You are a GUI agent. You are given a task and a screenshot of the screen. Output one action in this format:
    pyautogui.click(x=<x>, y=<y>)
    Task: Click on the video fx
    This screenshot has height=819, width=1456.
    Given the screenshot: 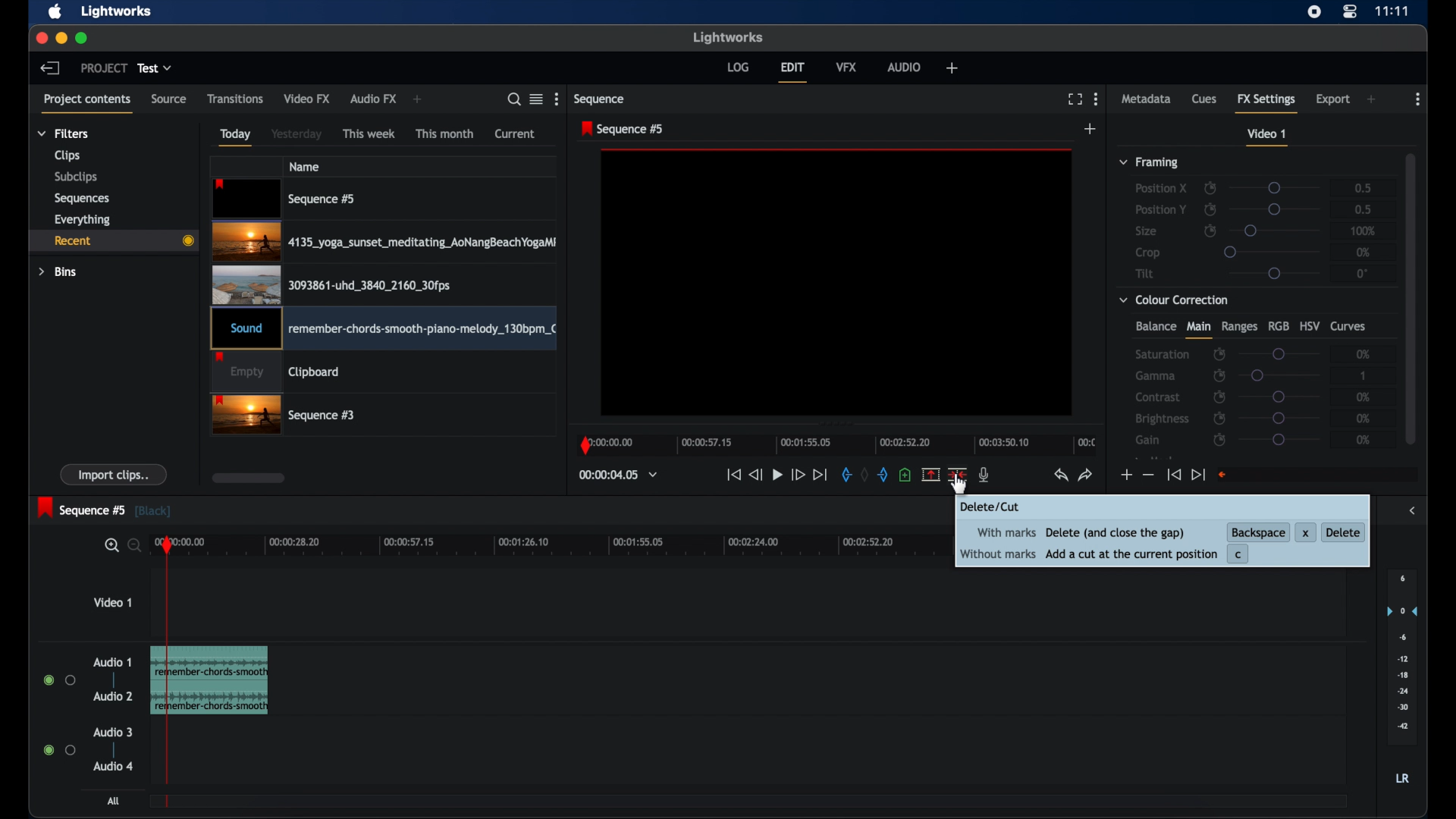 What is the action you would take?
    pyautogui.click(x=308, y=99)
    